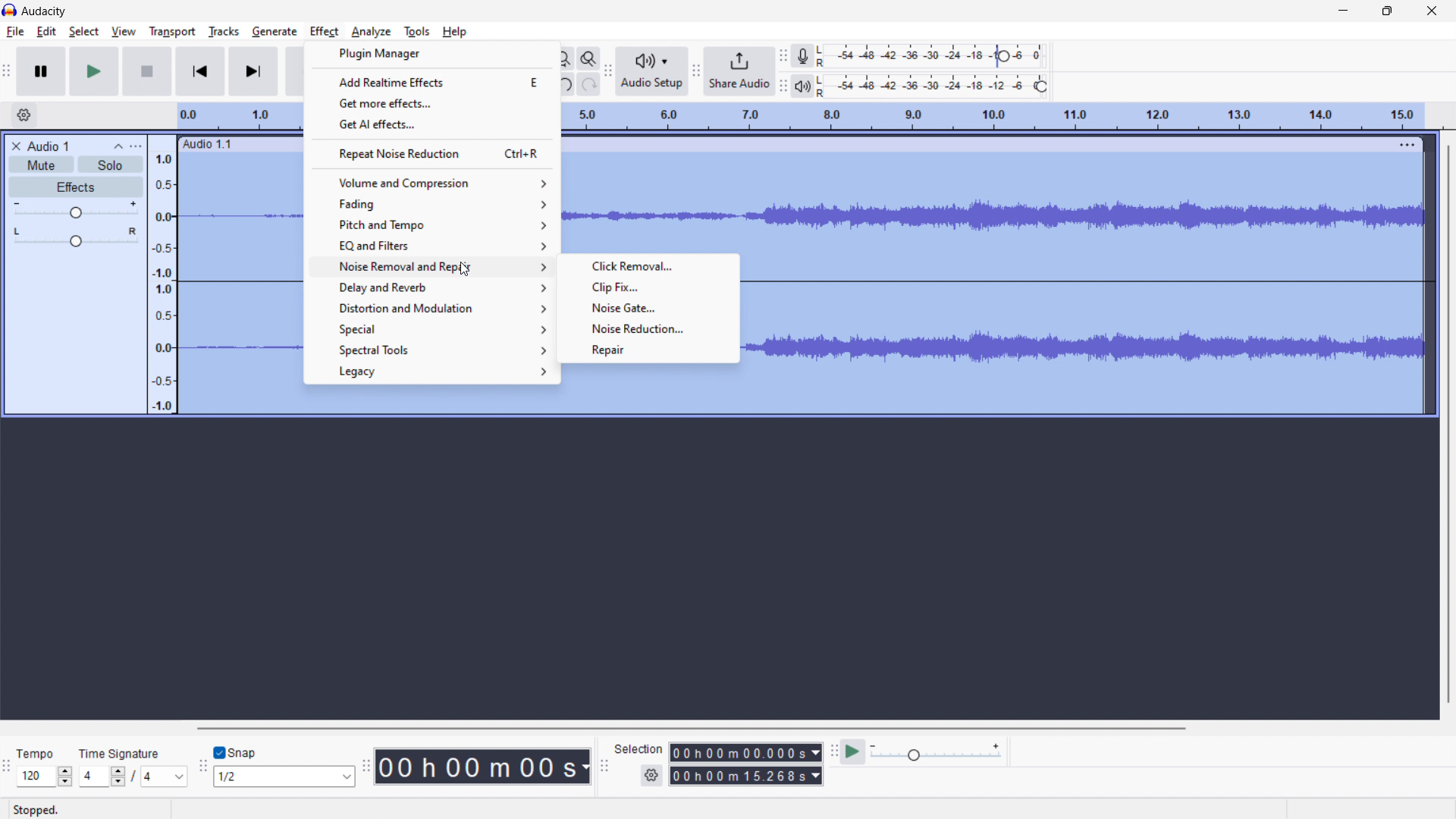  What do you see at coordinates (783, 86) in the screenshot?
I see `playback meter toolbar` at bounding box center [783, 86].